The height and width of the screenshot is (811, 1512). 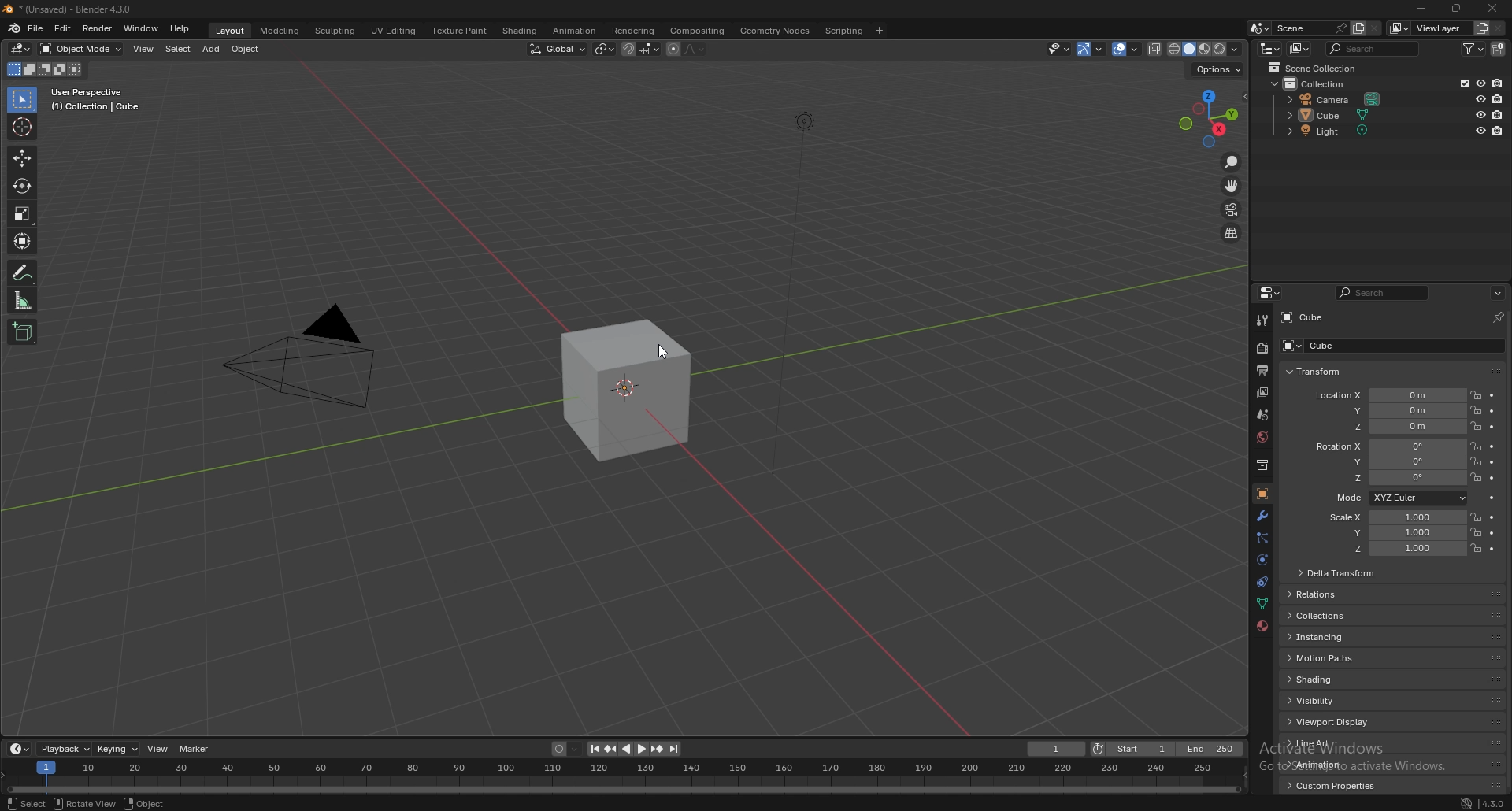 What do you see at coordinates (27, 803) in the screenshot?
I see `select` at bounding box center [27, 803].